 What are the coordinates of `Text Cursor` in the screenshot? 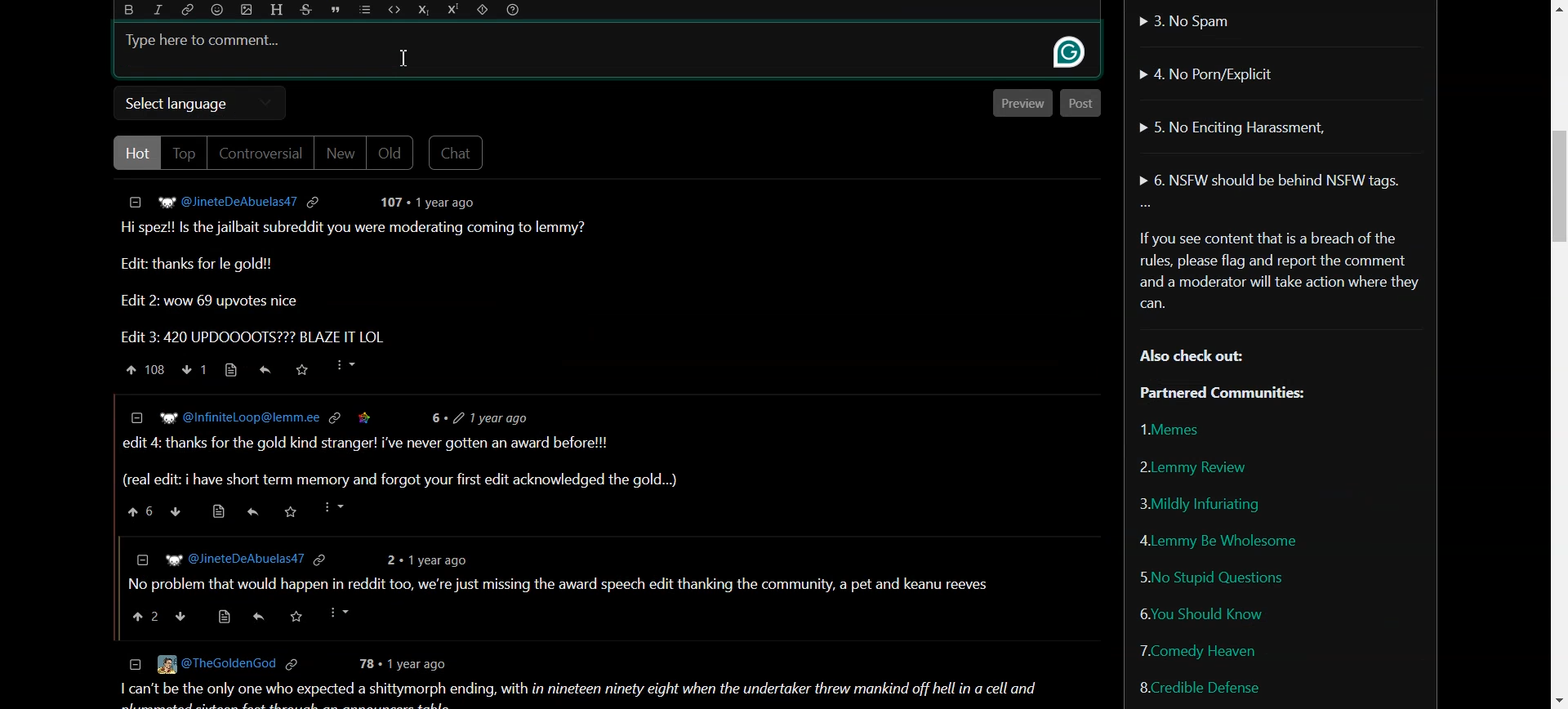 It's located at (406, 57).